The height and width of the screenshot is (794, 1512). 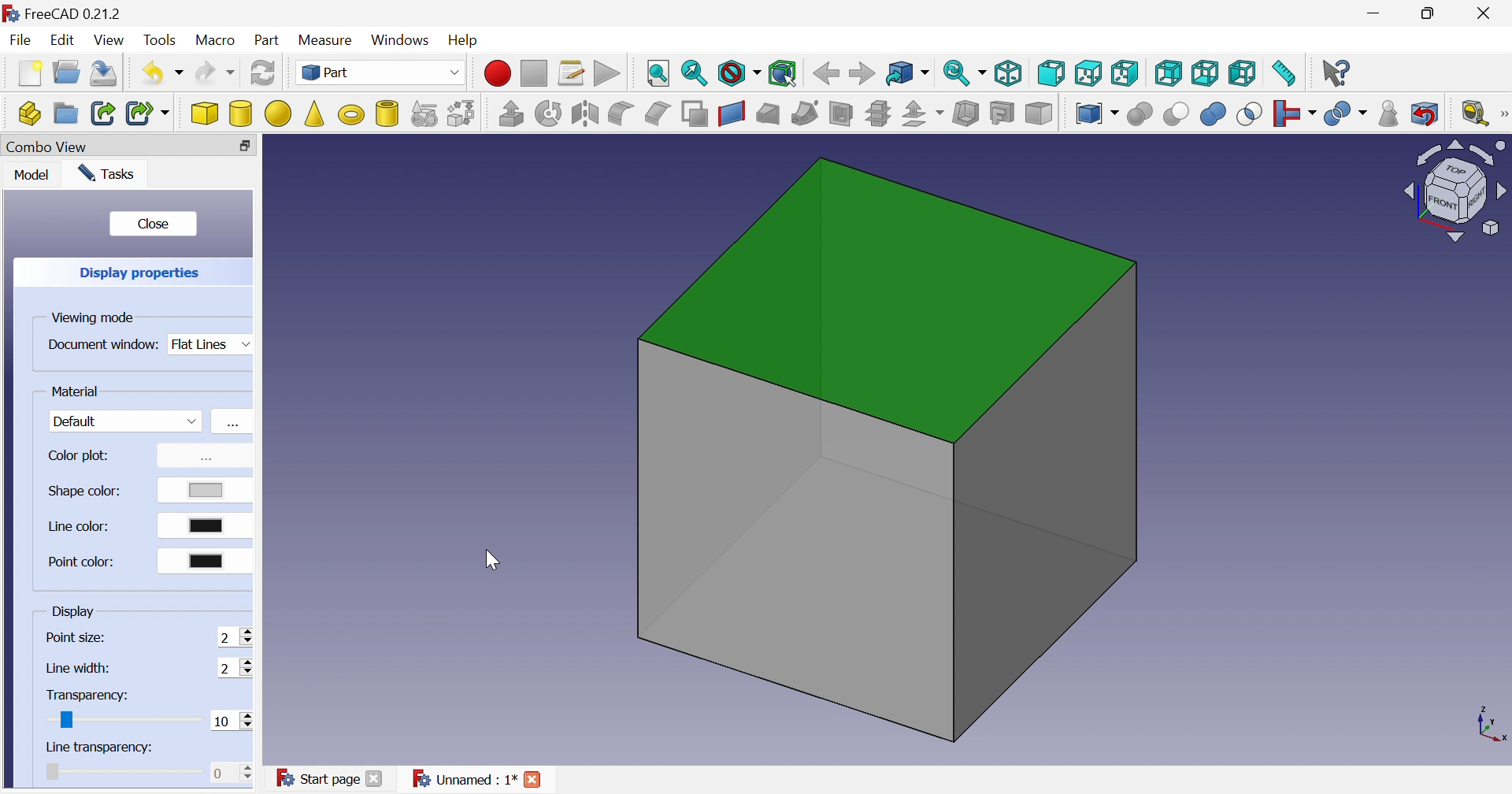 I want to click on Compound tools, so click(x=1099, y=114).